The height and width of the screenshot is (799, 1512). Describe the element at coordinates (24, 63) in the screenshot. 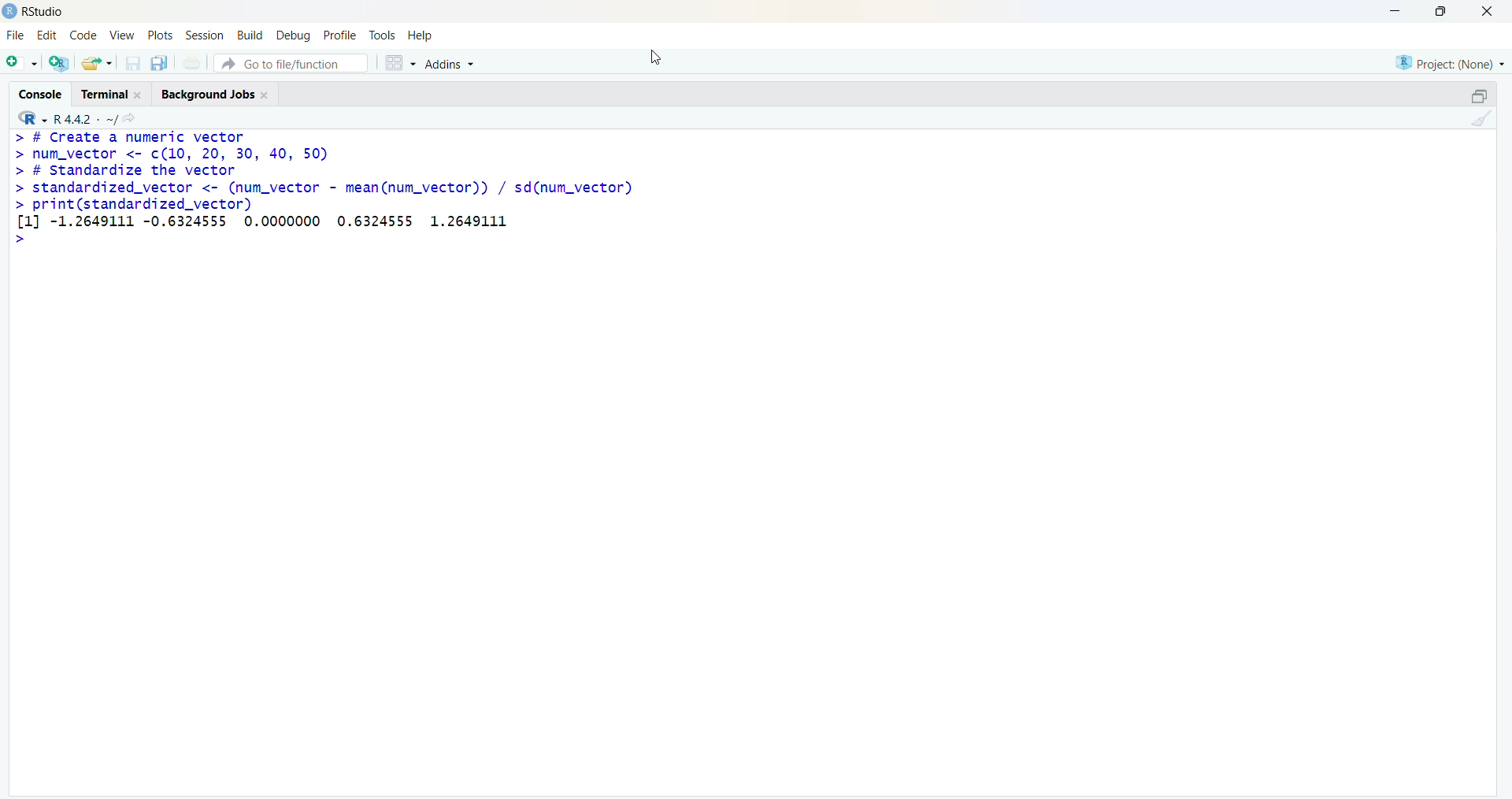

I see `add file as` at that location.